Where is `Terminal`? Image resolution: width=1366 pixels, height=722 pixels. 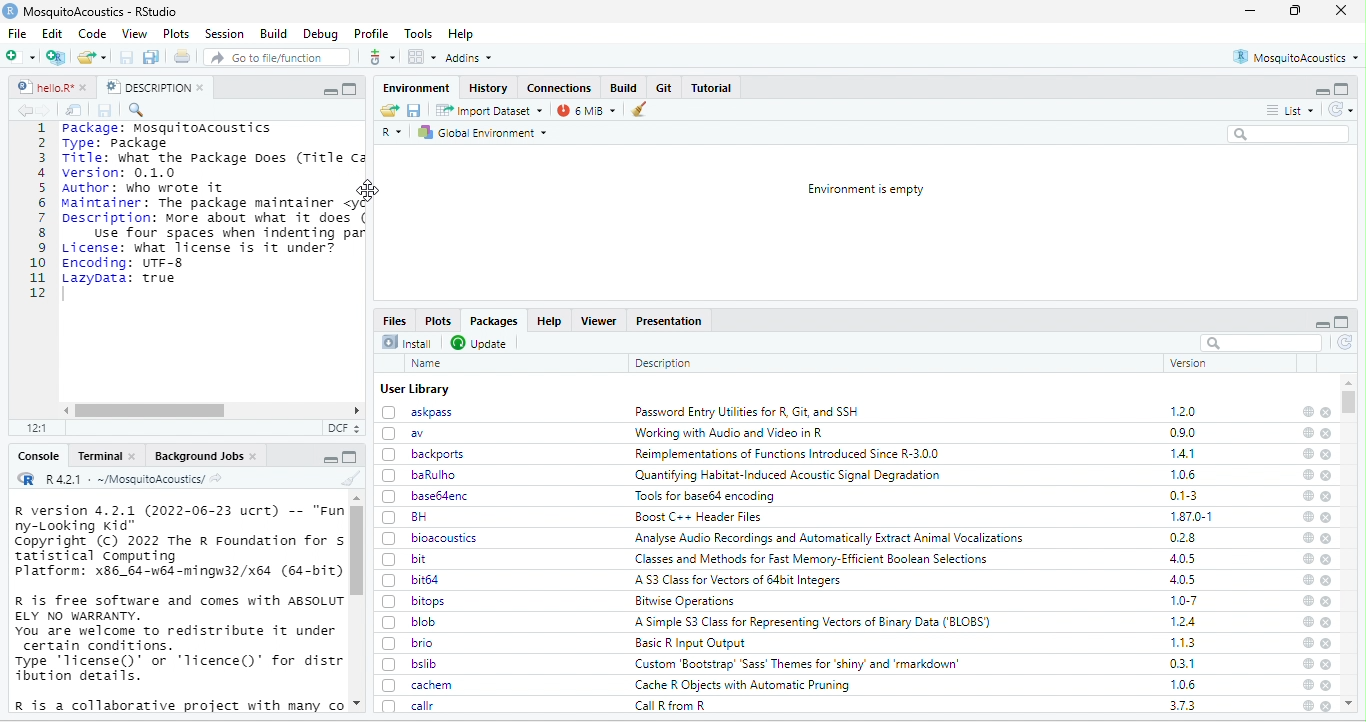 Terminal is located at coordinates (105, 455).